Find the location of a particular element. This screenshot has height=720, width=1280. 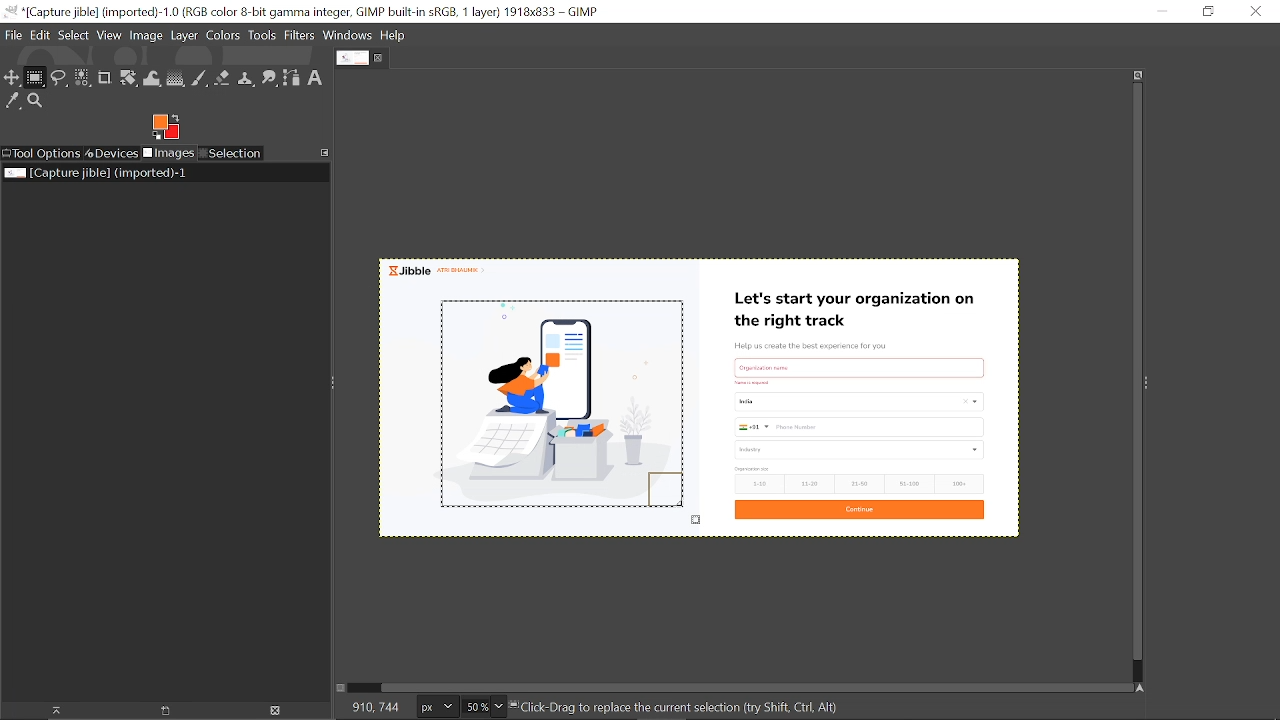

Current image is located at coordinates (94, 173).